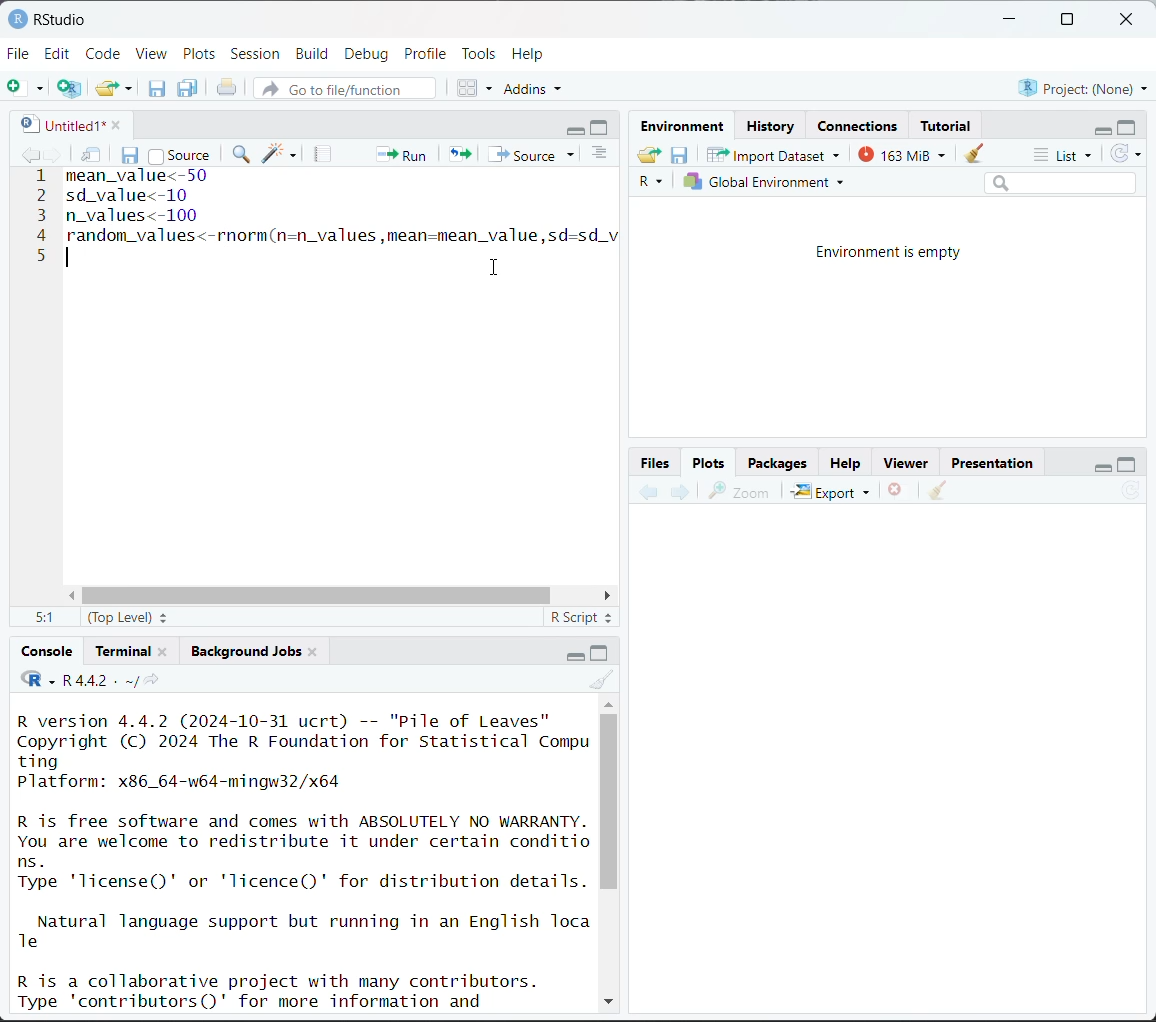  What do you see at coordinates (315, 54) in the screenshot?
I see `Build` at bounding box center [315, 54].